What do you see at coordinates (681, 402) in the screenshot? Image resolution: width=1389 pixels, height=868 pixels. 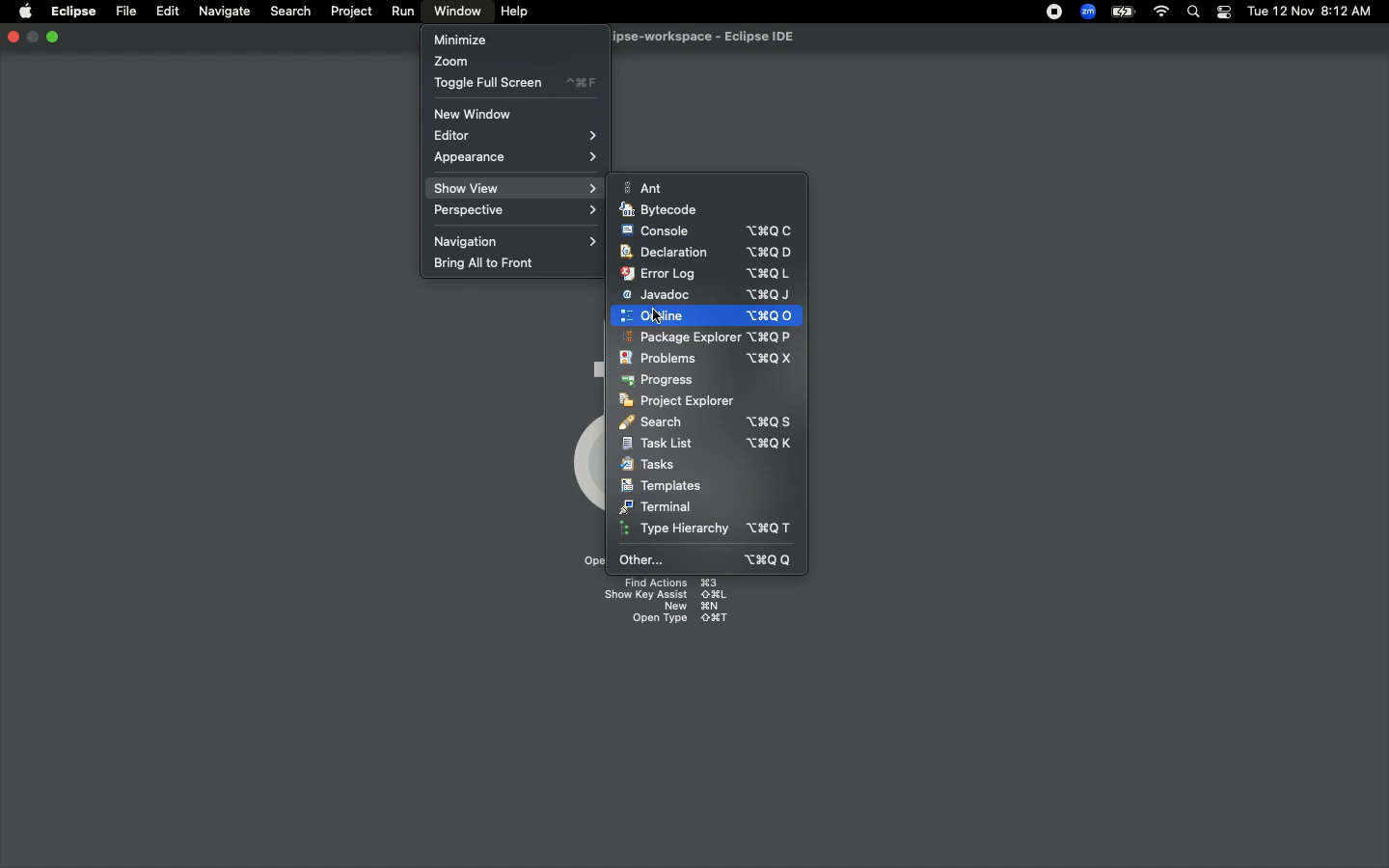 I see `Project explorer` at bounding box center [681, 402].